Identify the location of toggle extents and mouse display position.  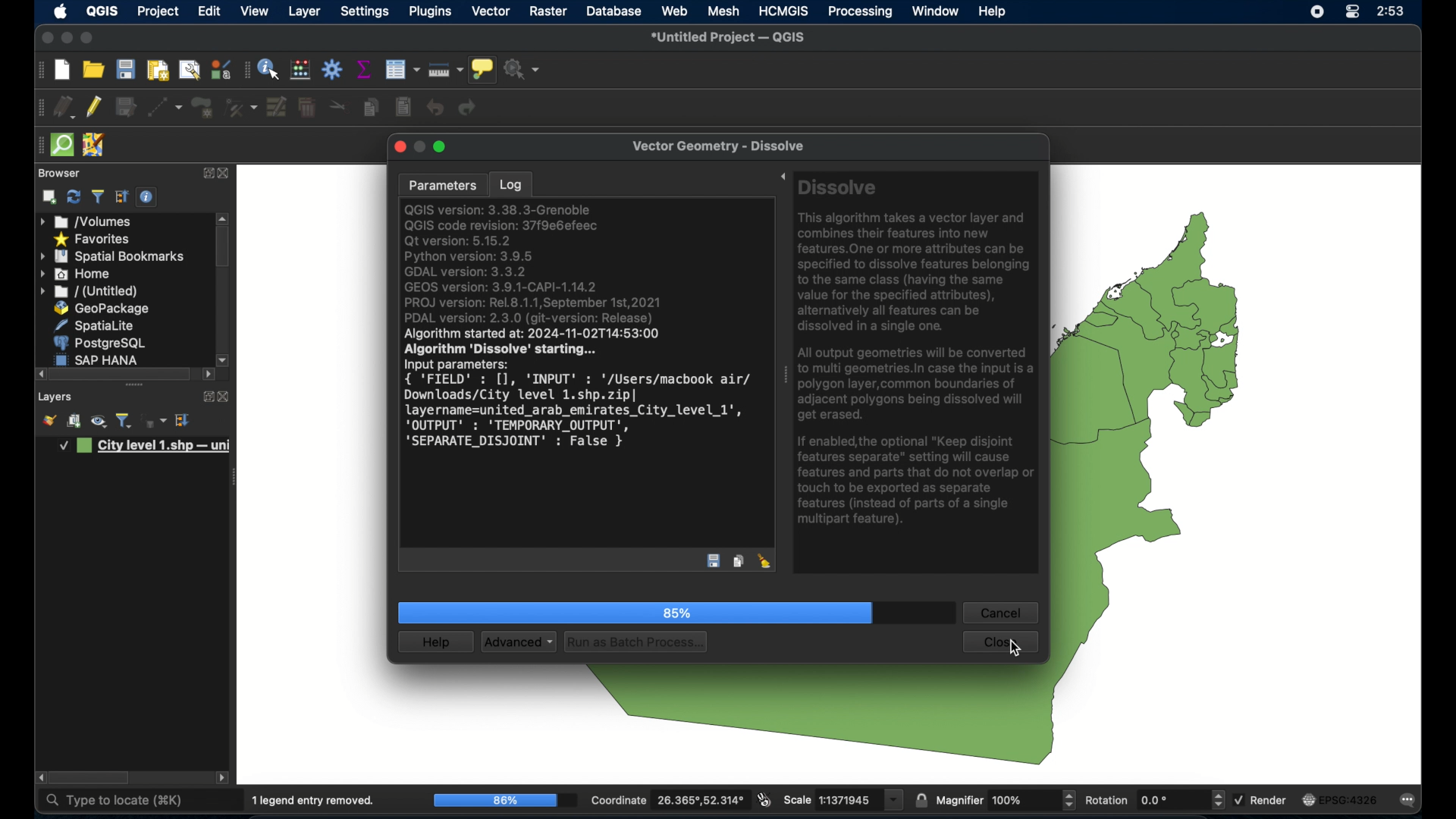
(764, 799).